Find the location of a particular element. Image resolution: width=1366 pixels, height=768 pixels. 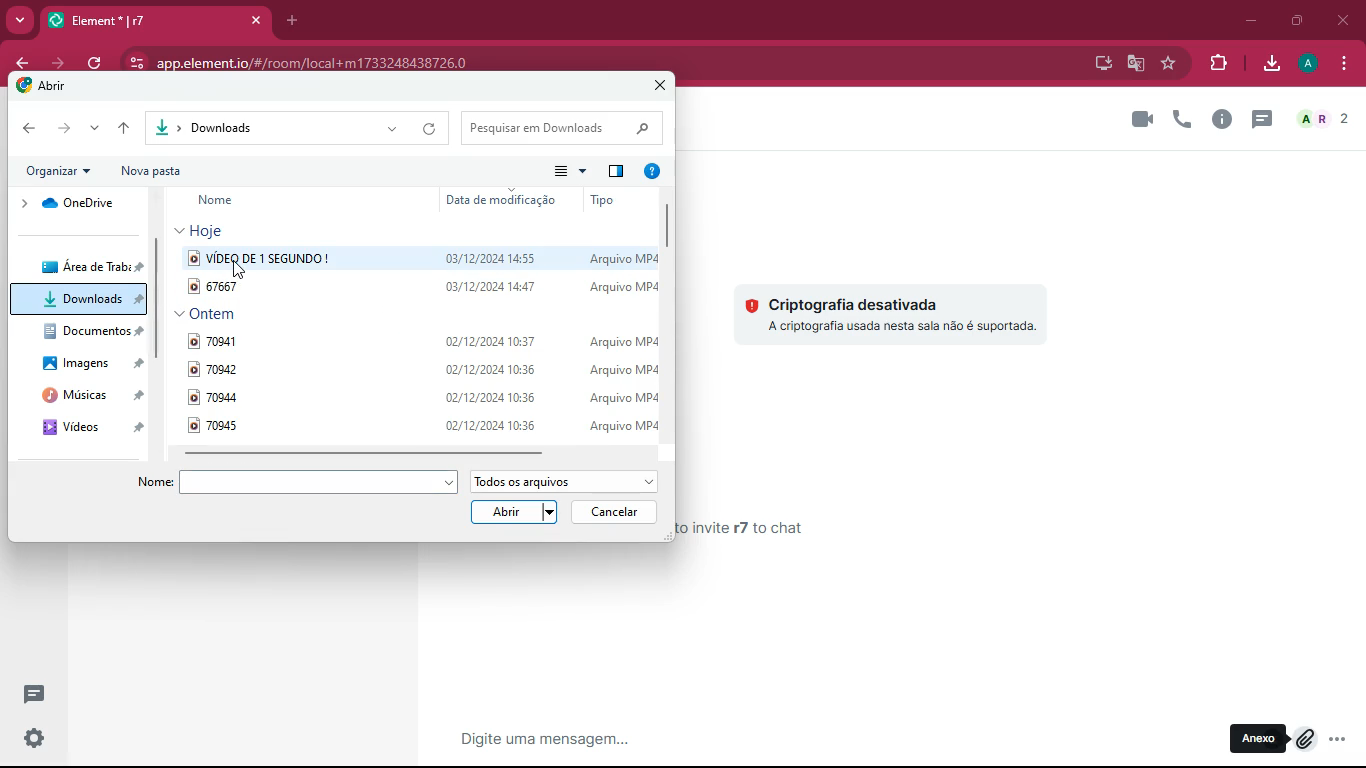

nova pasta is located at coordinates (148, 169).